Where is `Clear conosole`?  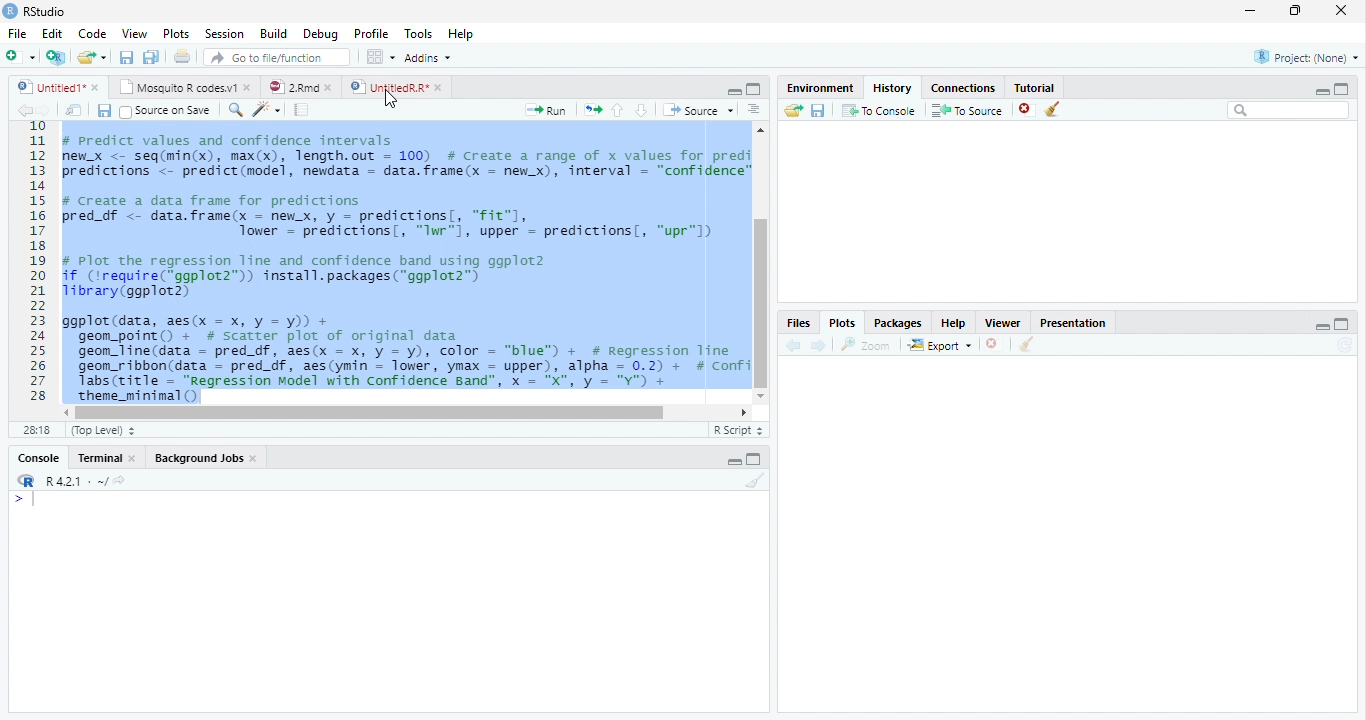 Clear conosole is located at coordinates (1029, 344).